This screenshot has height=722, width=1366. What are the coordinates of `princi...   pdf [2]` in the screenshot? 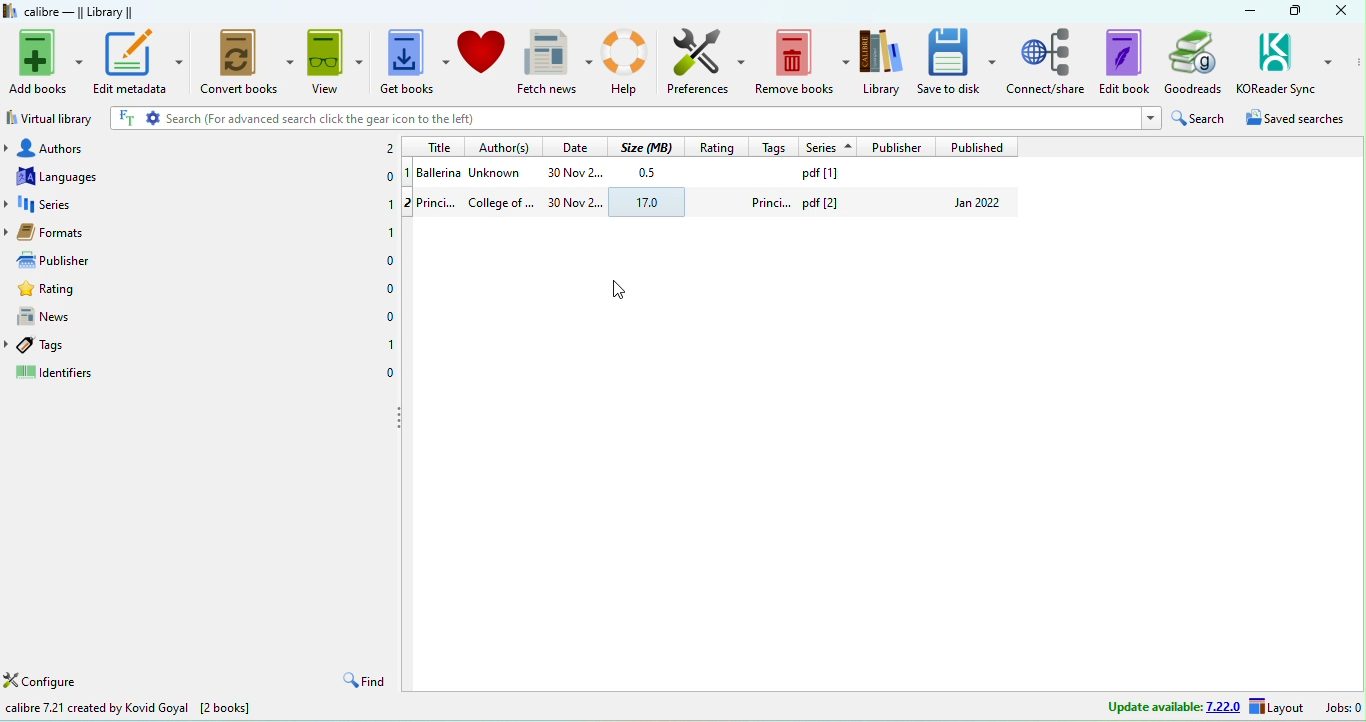 It's located at (818, 202).